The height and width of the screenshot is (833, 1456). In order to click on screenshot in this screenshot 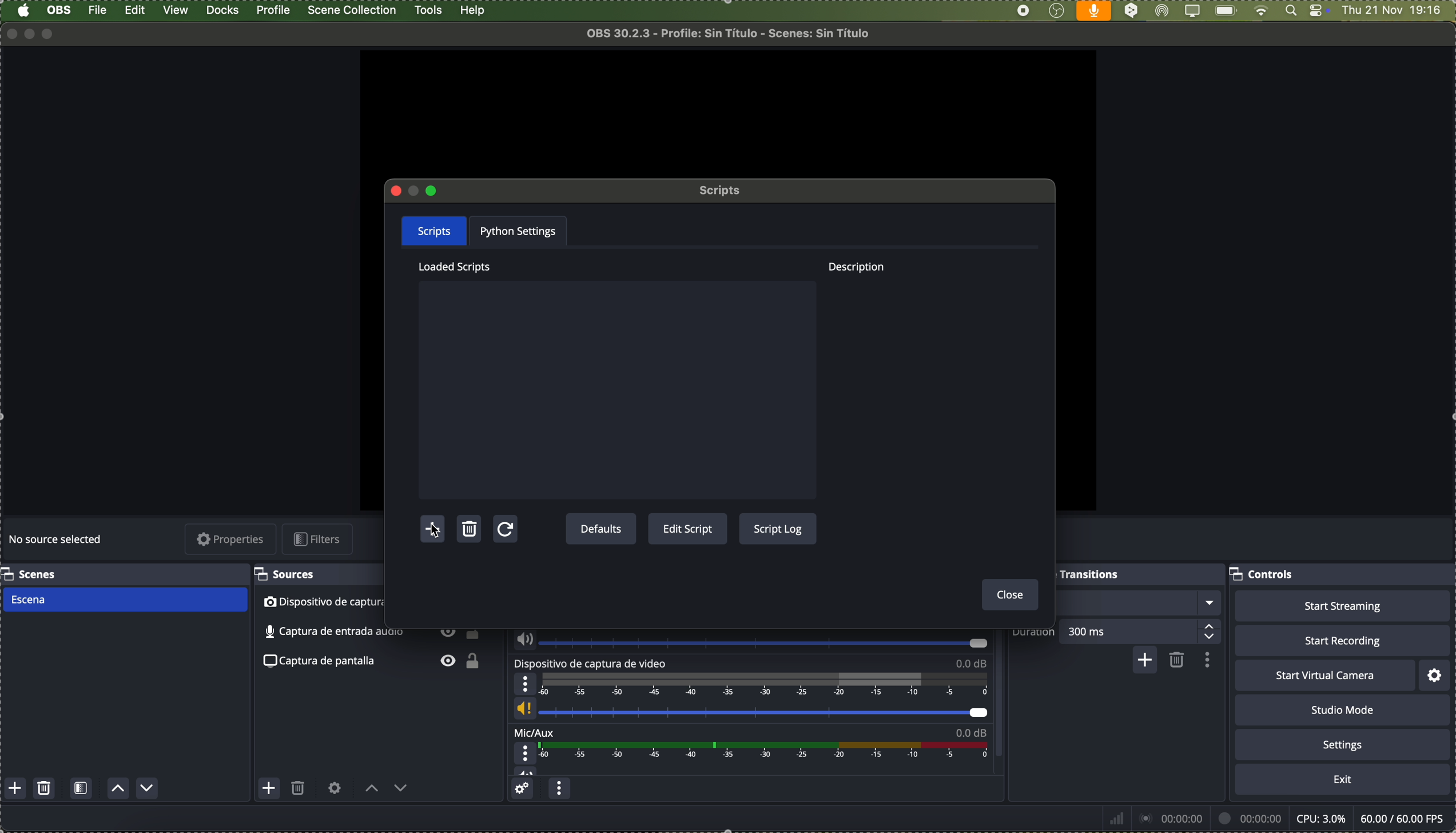, I will do `click(376, 663)`.